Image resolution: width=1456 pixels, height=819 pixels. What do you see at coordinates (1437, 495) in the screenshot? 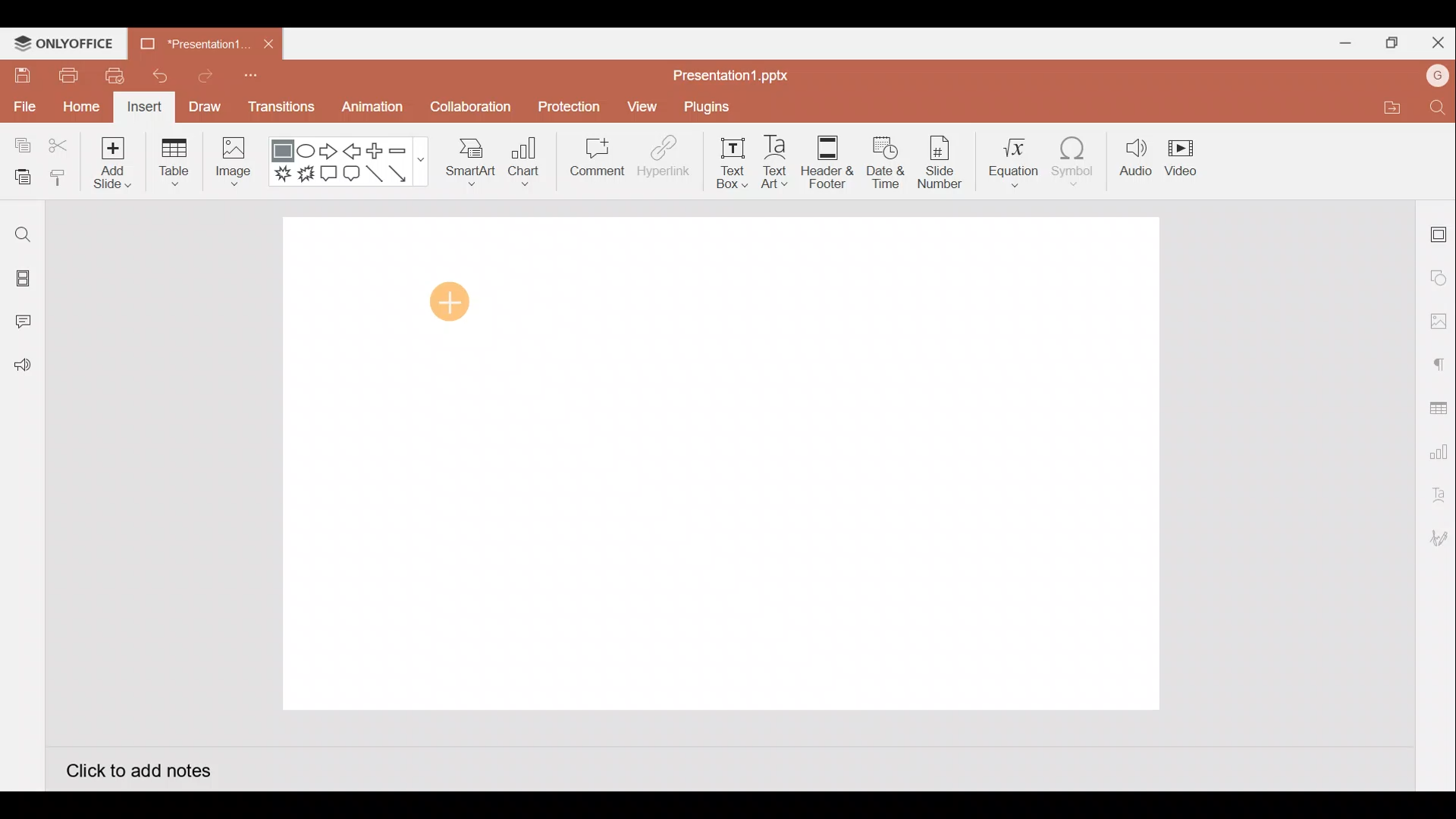
I see `Text Art settings` at bounding box center [1437, 495].